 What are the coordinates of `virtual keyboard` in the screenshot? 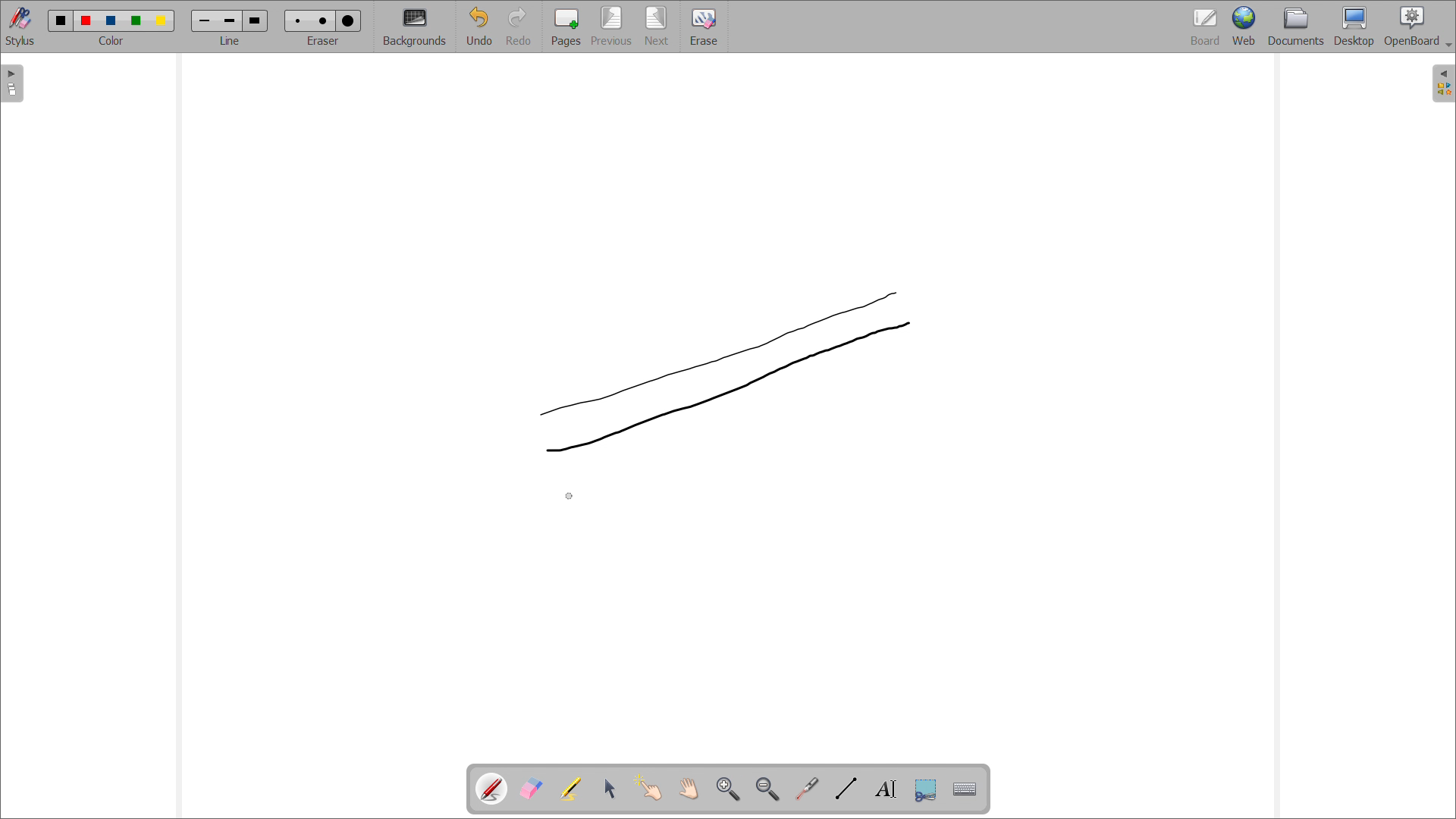 It's located at (966, 790).